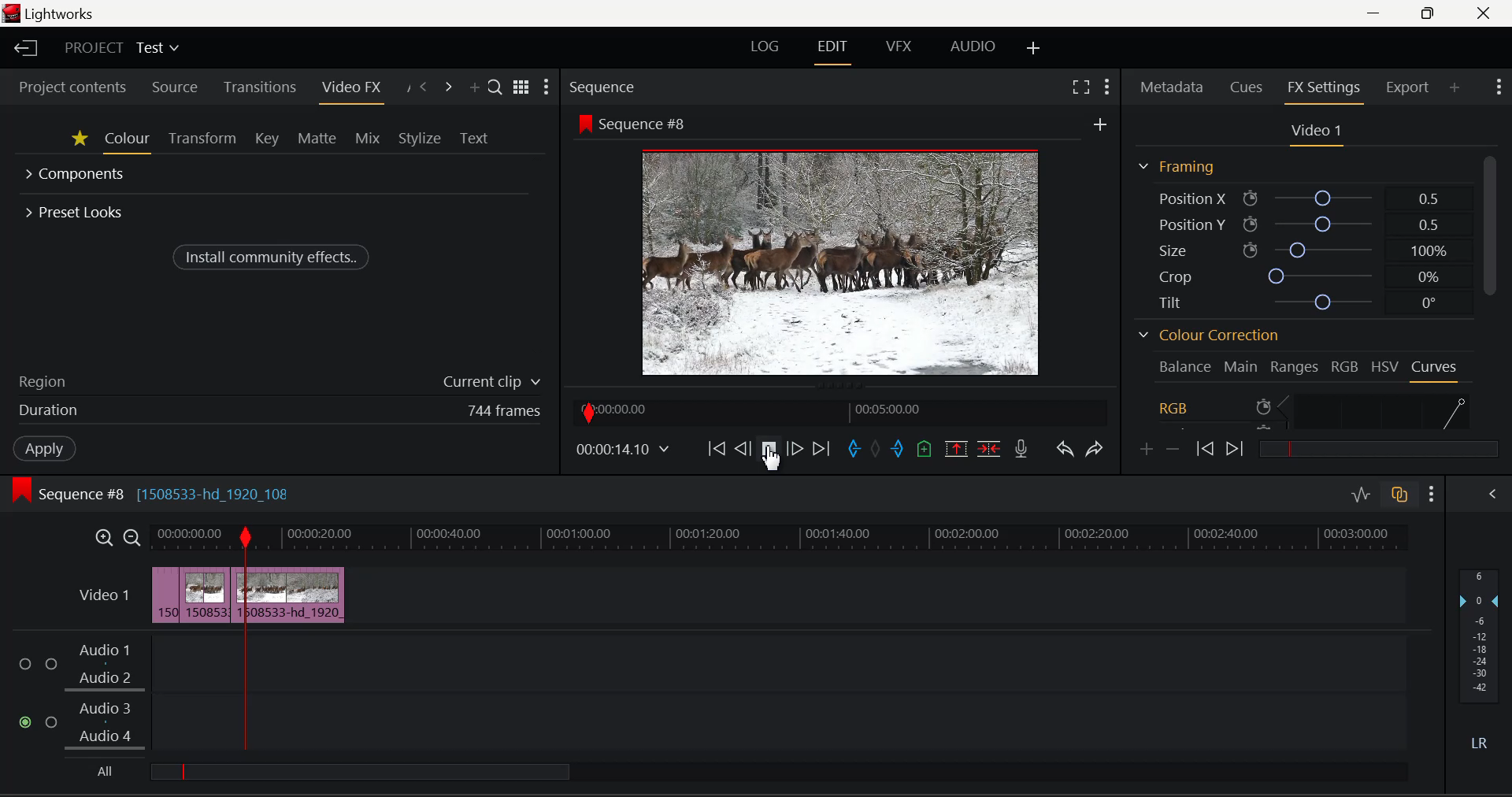 The width and height of the screenshot is (1512, 797). I want to click on show Settings, so click(1432, 495).